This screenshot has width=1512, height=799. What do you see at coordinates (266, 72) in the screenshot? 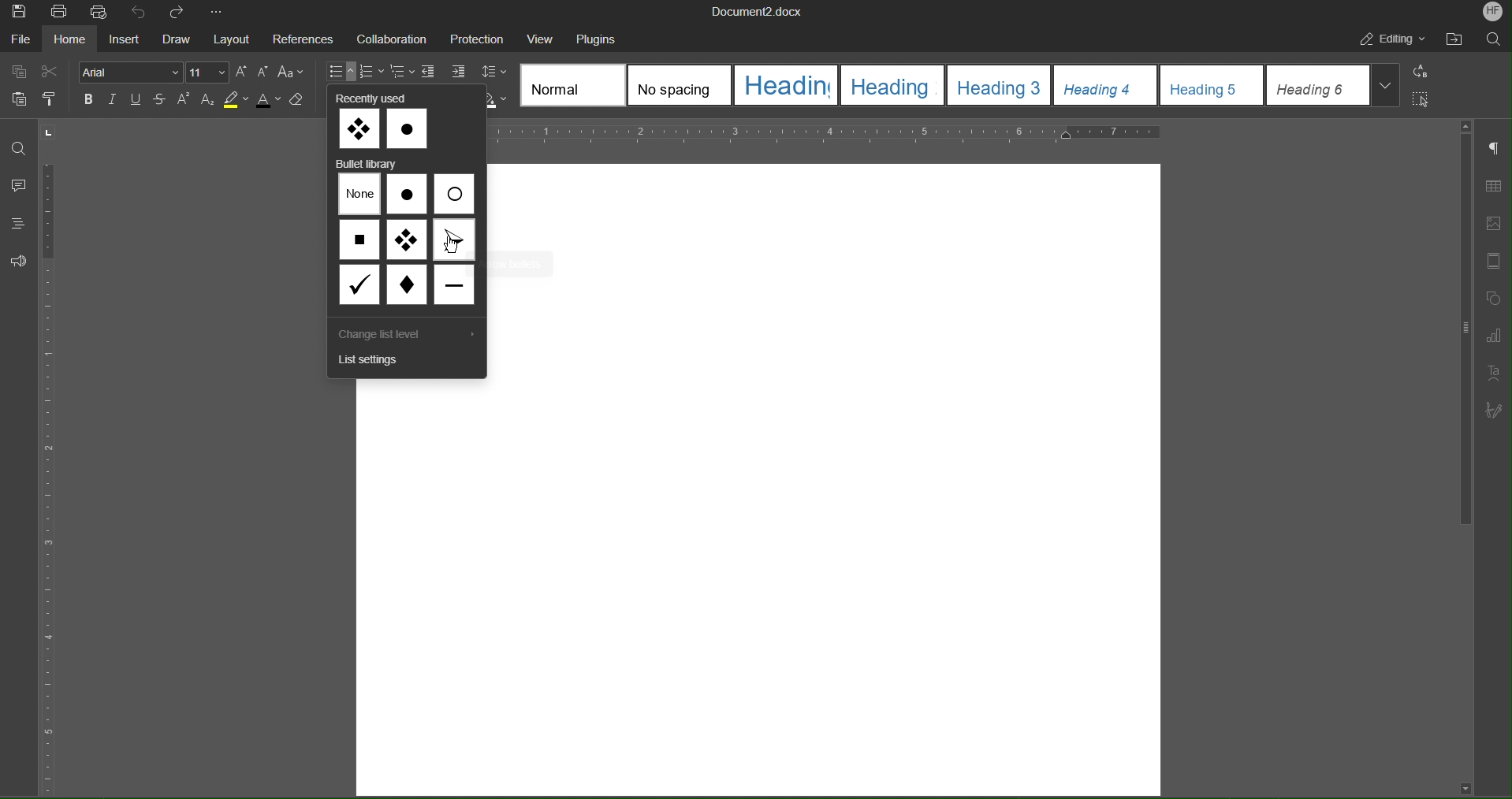
I see `Decrease Size` at bounding box center [266, 72].